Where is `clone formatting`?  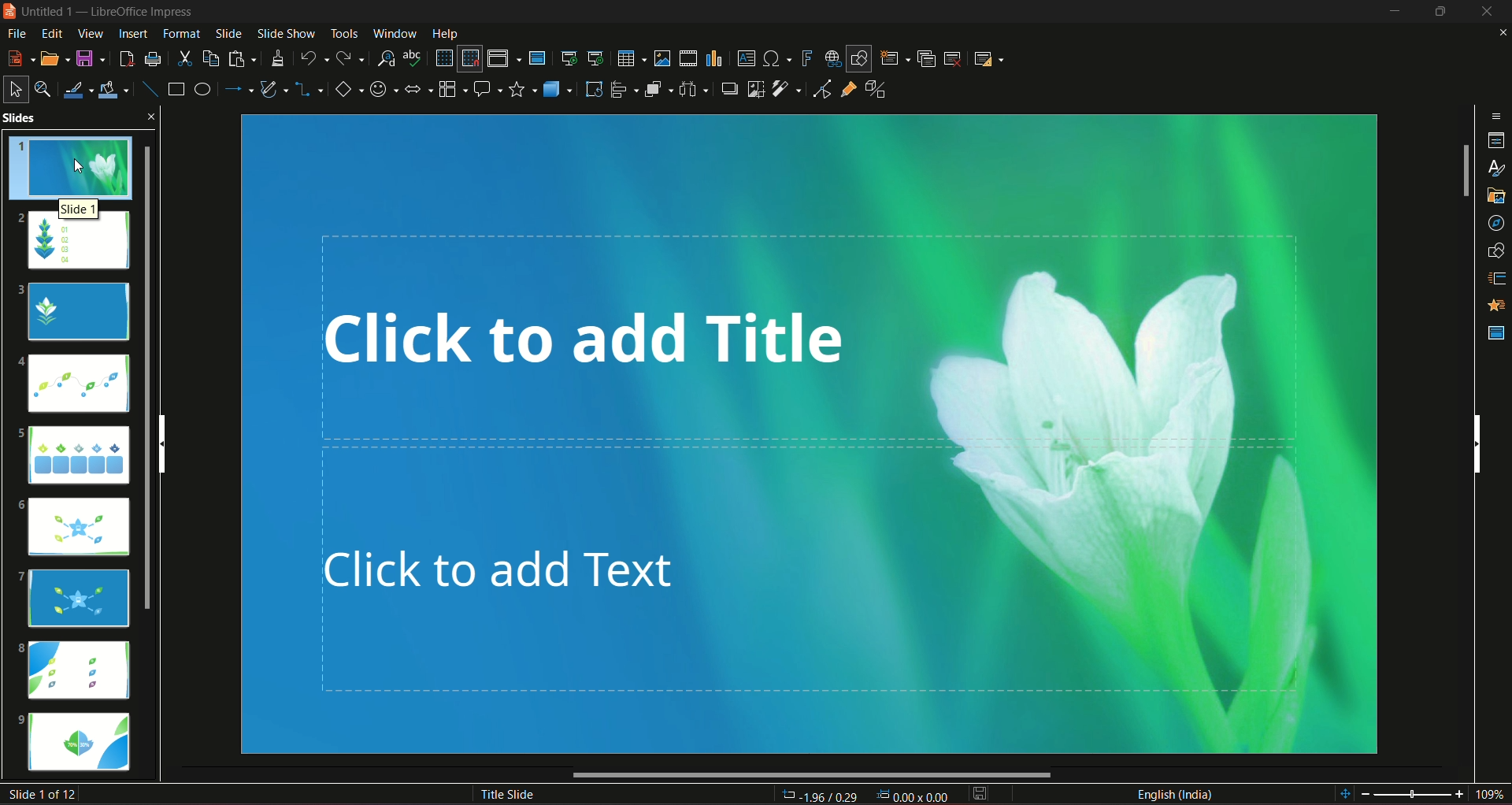 clone formatting is located at coordinates (280, 58).